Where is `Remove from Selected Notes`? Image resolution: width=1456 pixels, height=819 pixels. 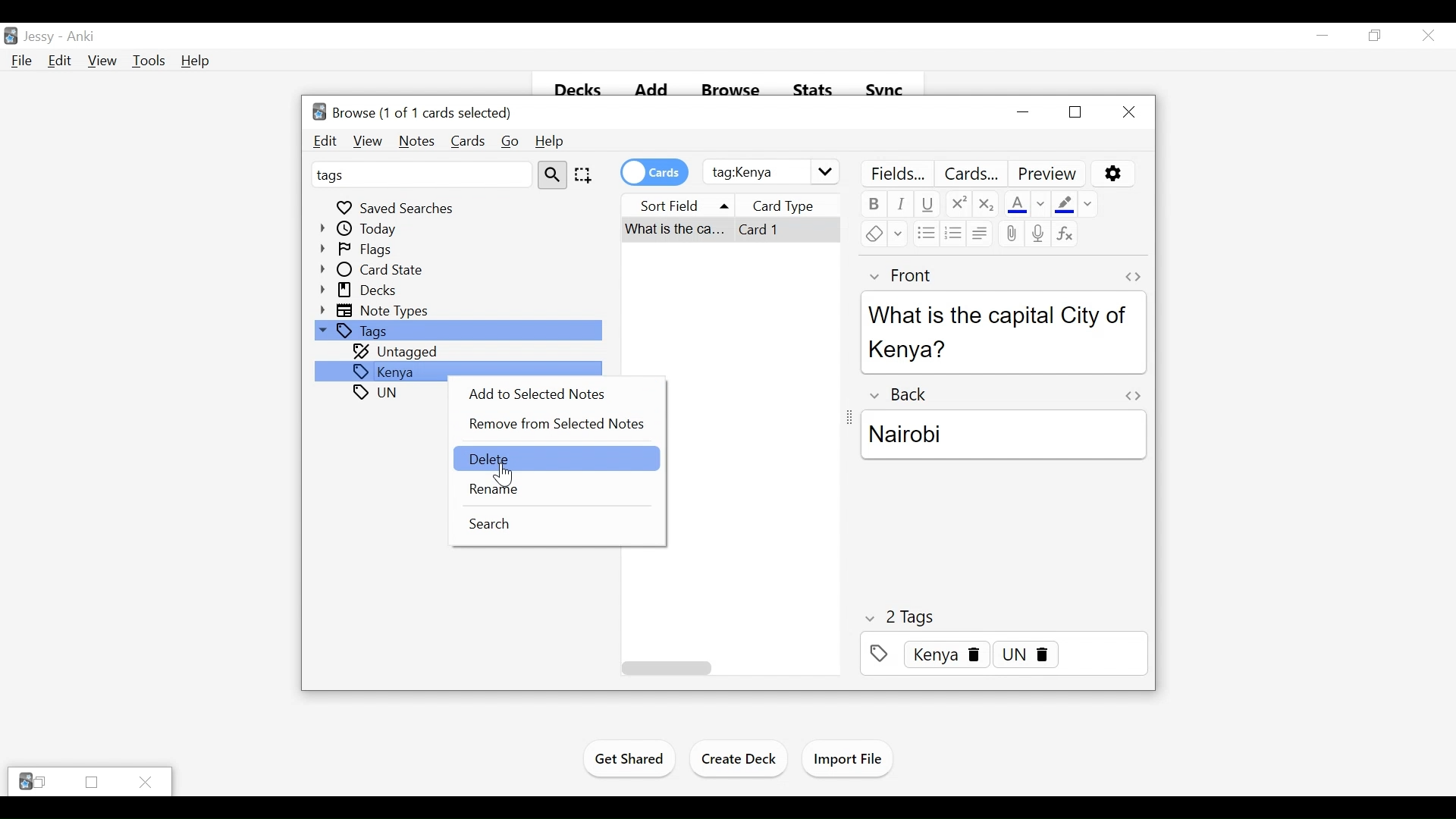
Remove from Selected Notes is located at coordinates (556, 424).